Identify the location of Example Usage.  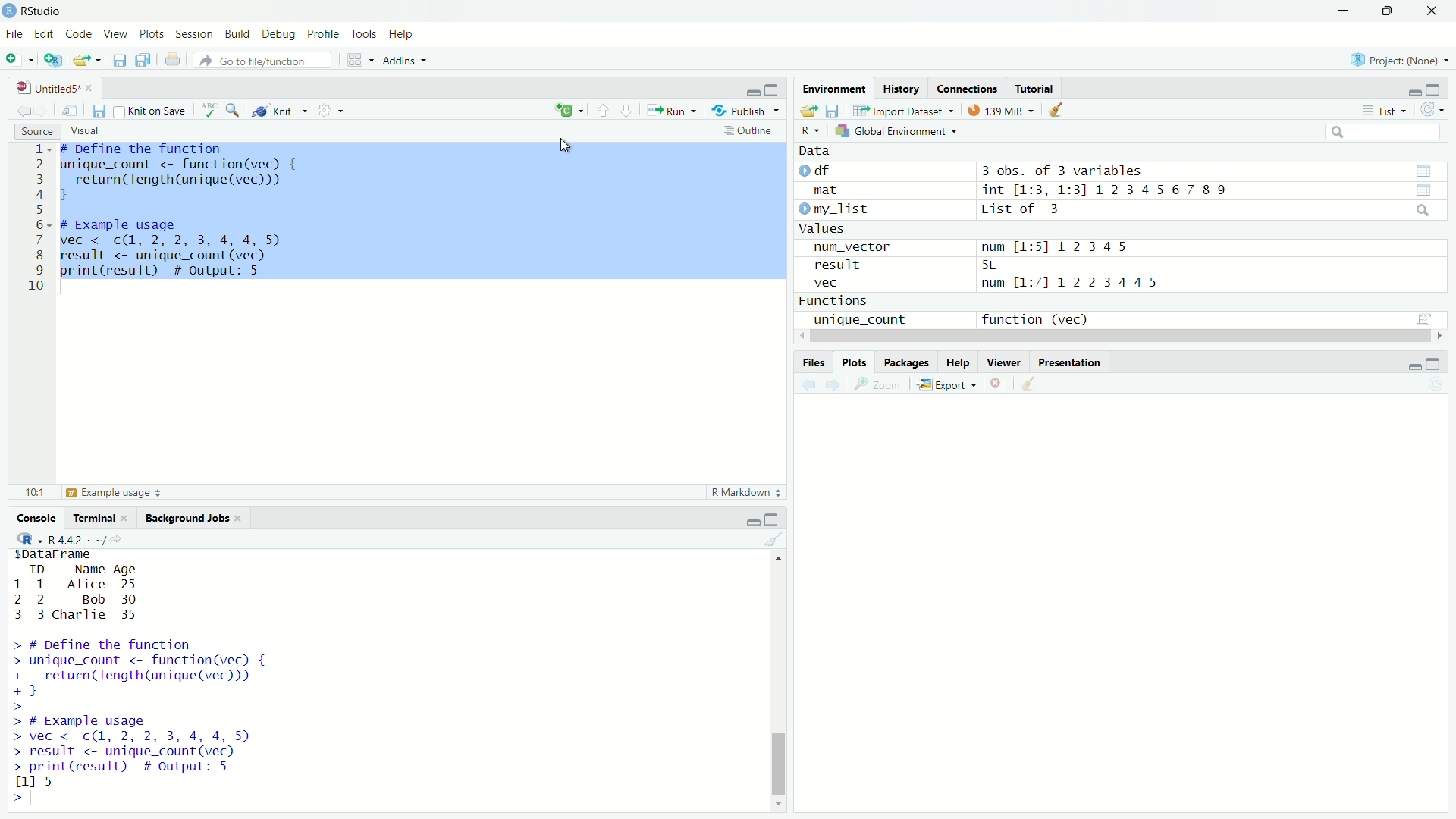
(112, 492).